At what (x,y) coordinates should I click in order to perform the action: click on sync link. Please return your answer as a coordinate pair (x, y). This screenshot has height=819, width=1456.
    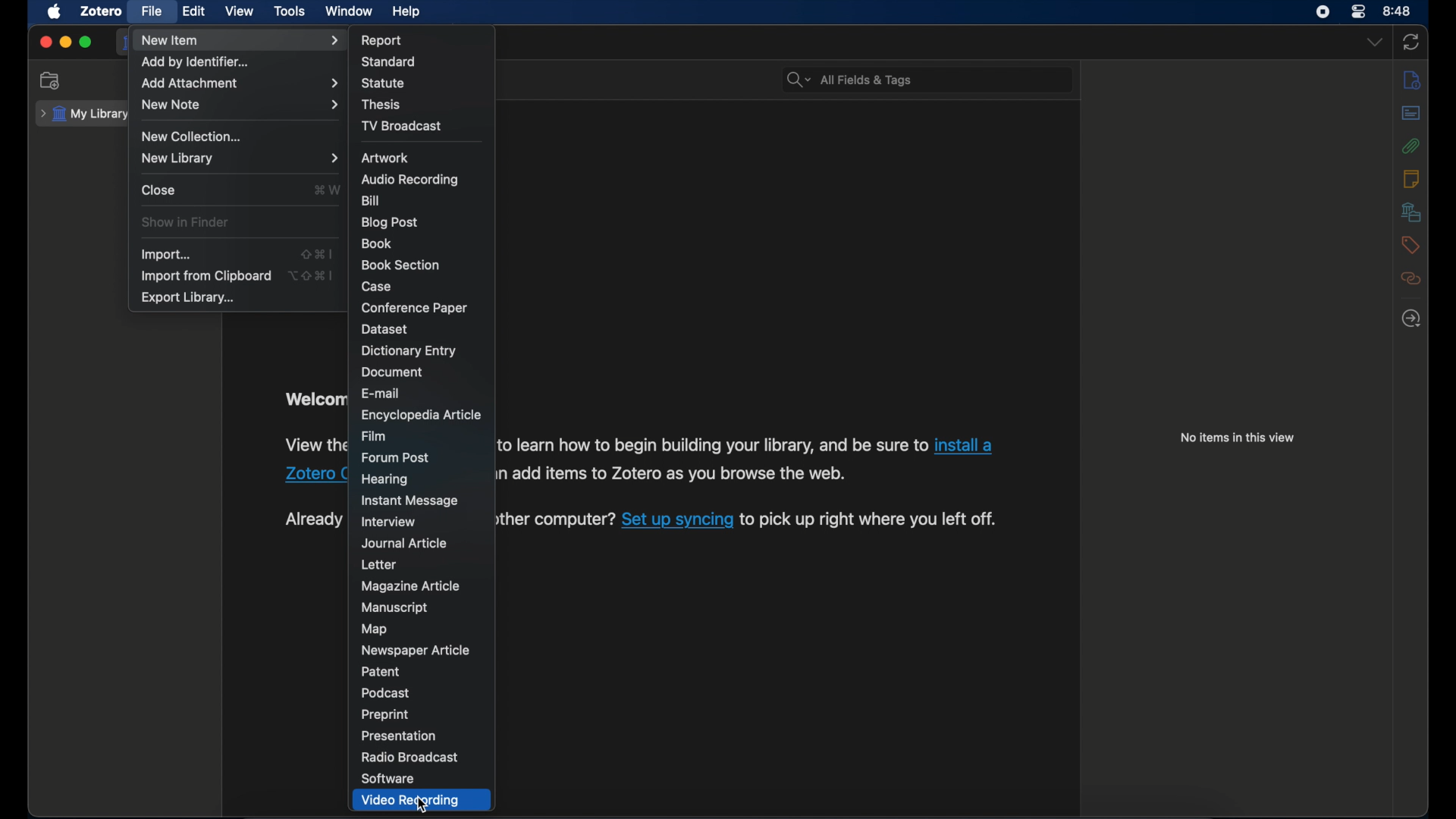
    Looking at the image, I should click on (677, 521).